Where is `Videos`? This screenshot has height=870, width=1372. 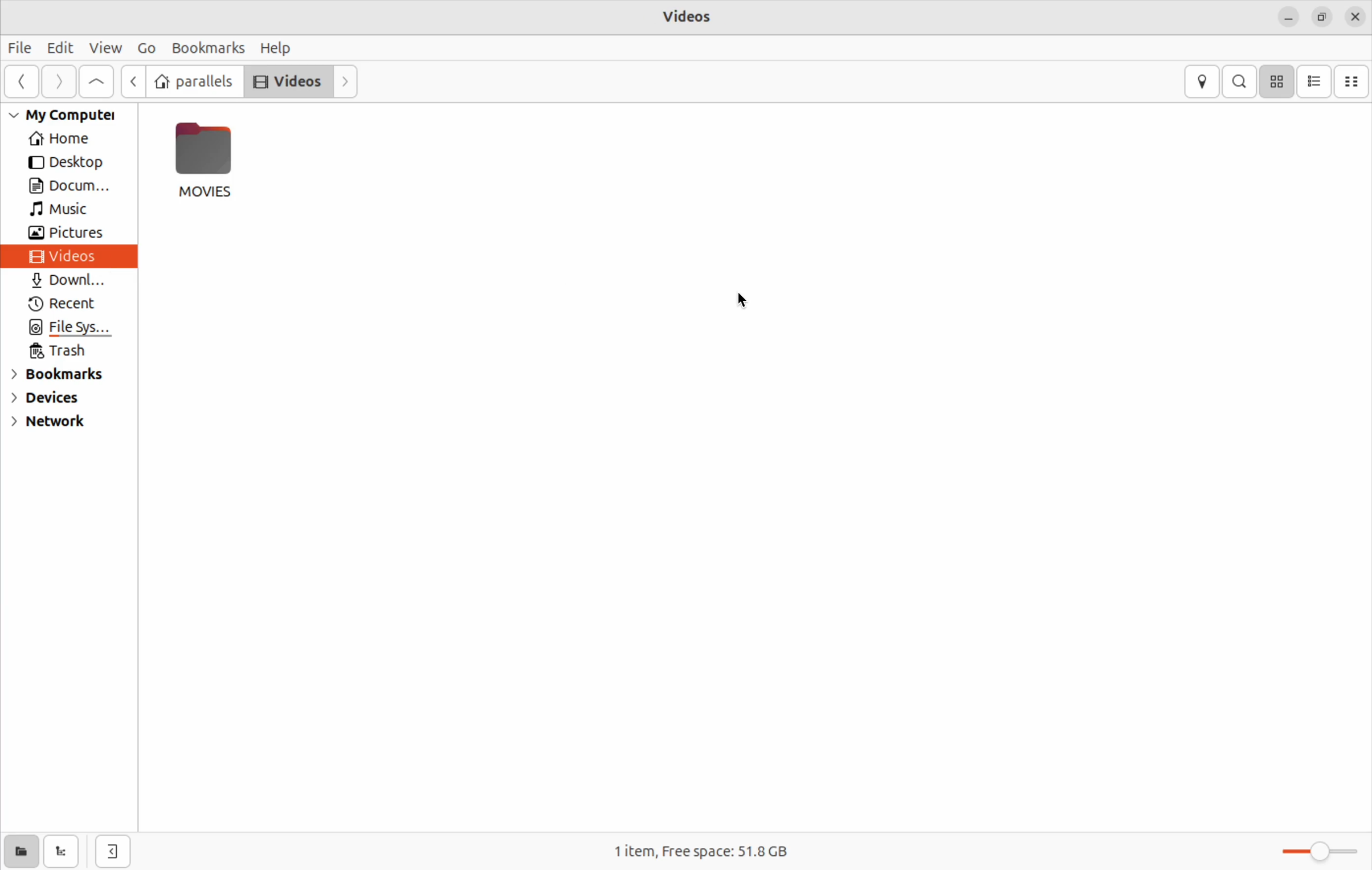 Videos is located at coordinates (691, 17).